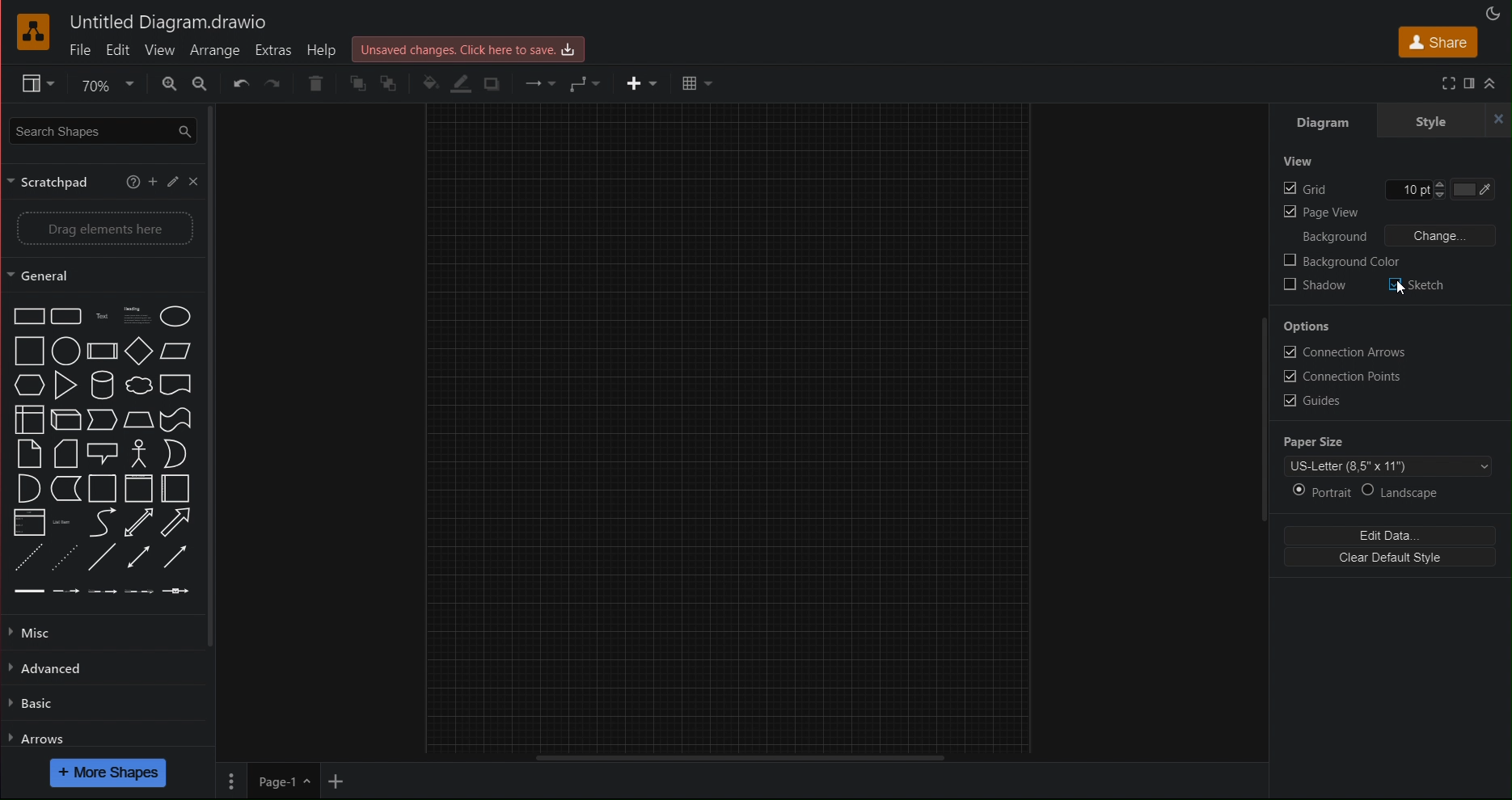 Image resolution: width=1512 pixels, height=800 pixels. What do you see at coordinates (195, 183) in the screenshot?
I see `close` at bounding box center [195, 183].